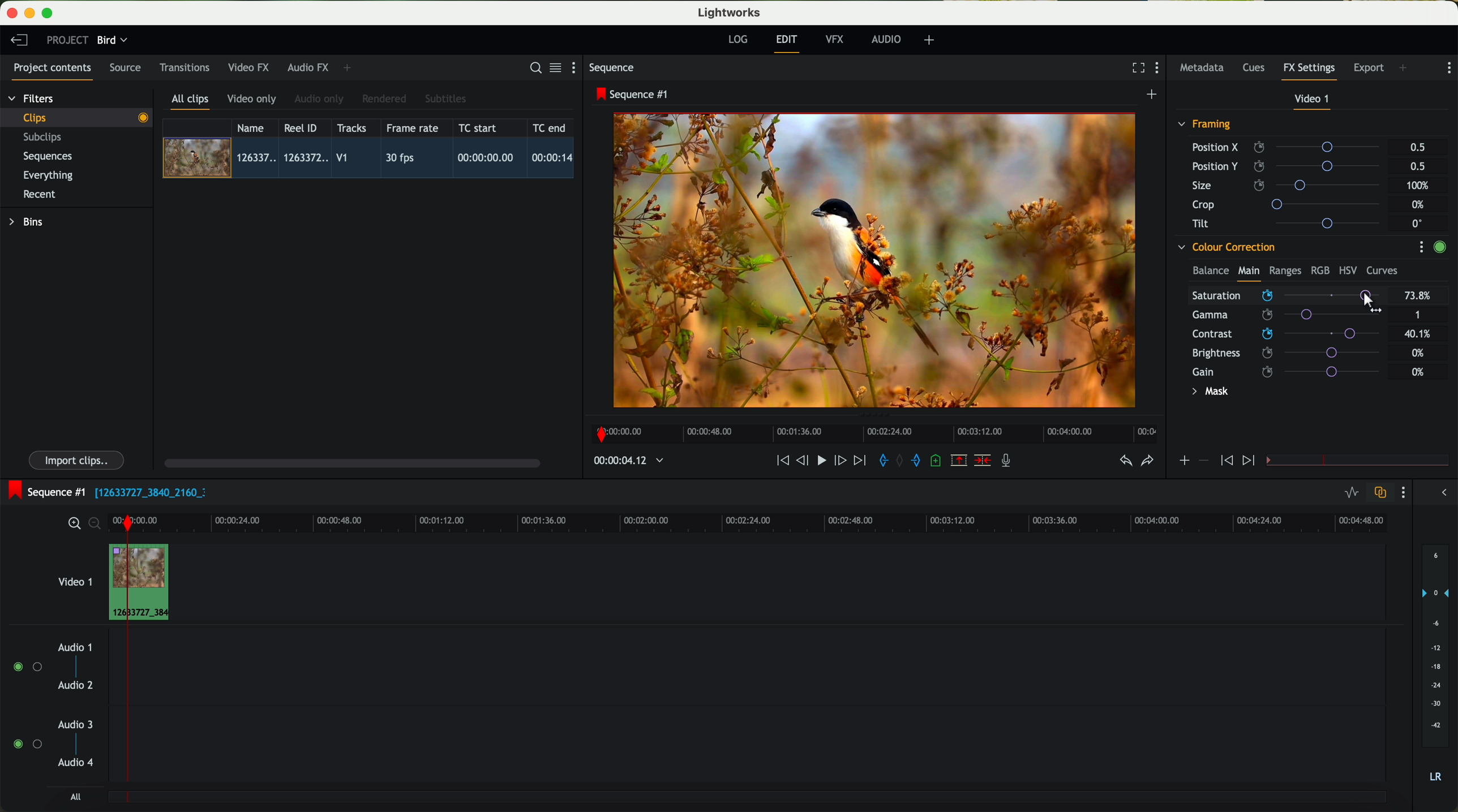  I want to click on subclips, so click(45, 138).